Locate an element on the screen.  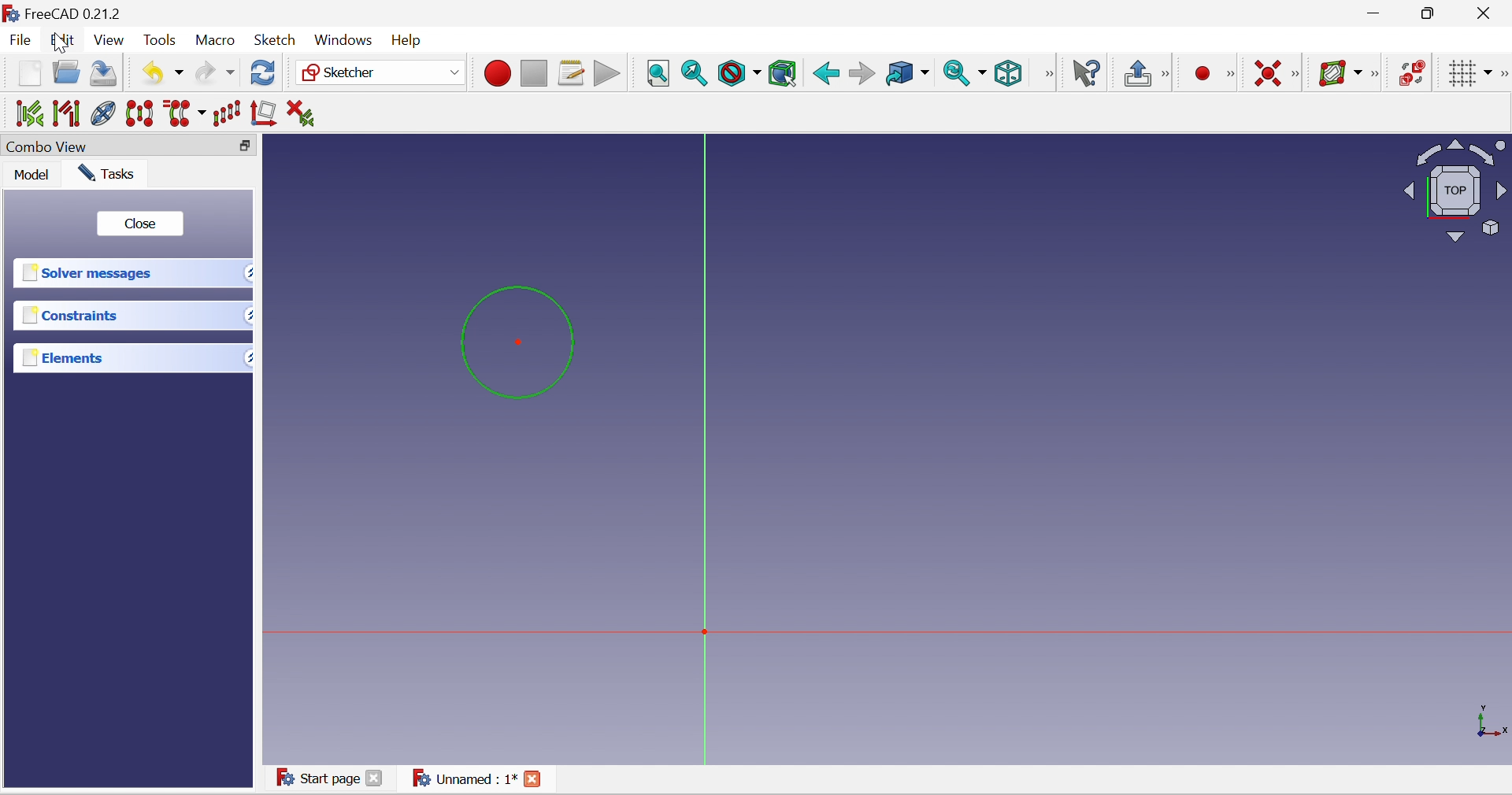
View is located at coordinates (1047, 73).